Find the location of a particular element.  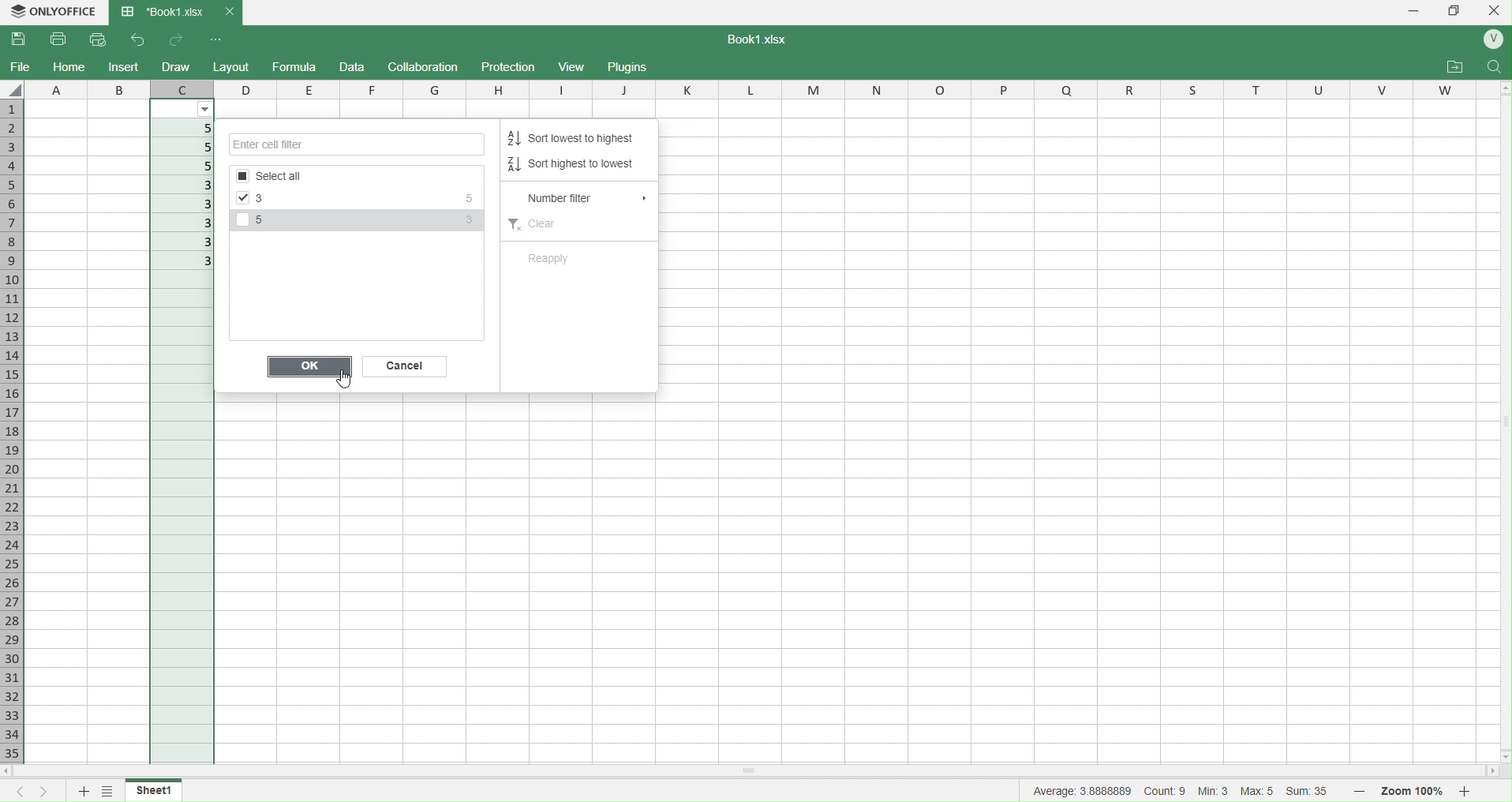

sheet list is located at coordinates (110, 789).